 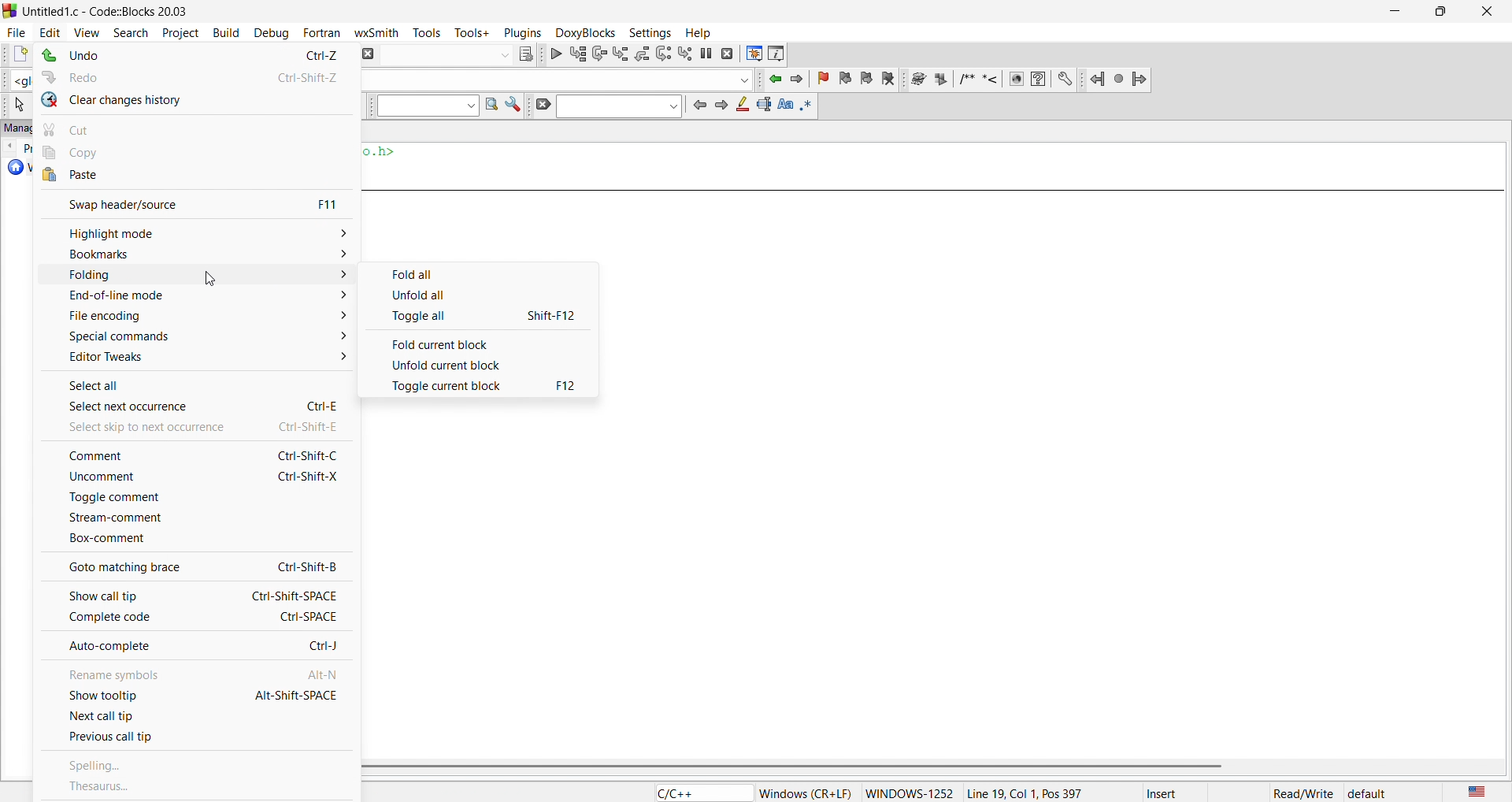 I want to click on tools, so click(x=430, y=32).